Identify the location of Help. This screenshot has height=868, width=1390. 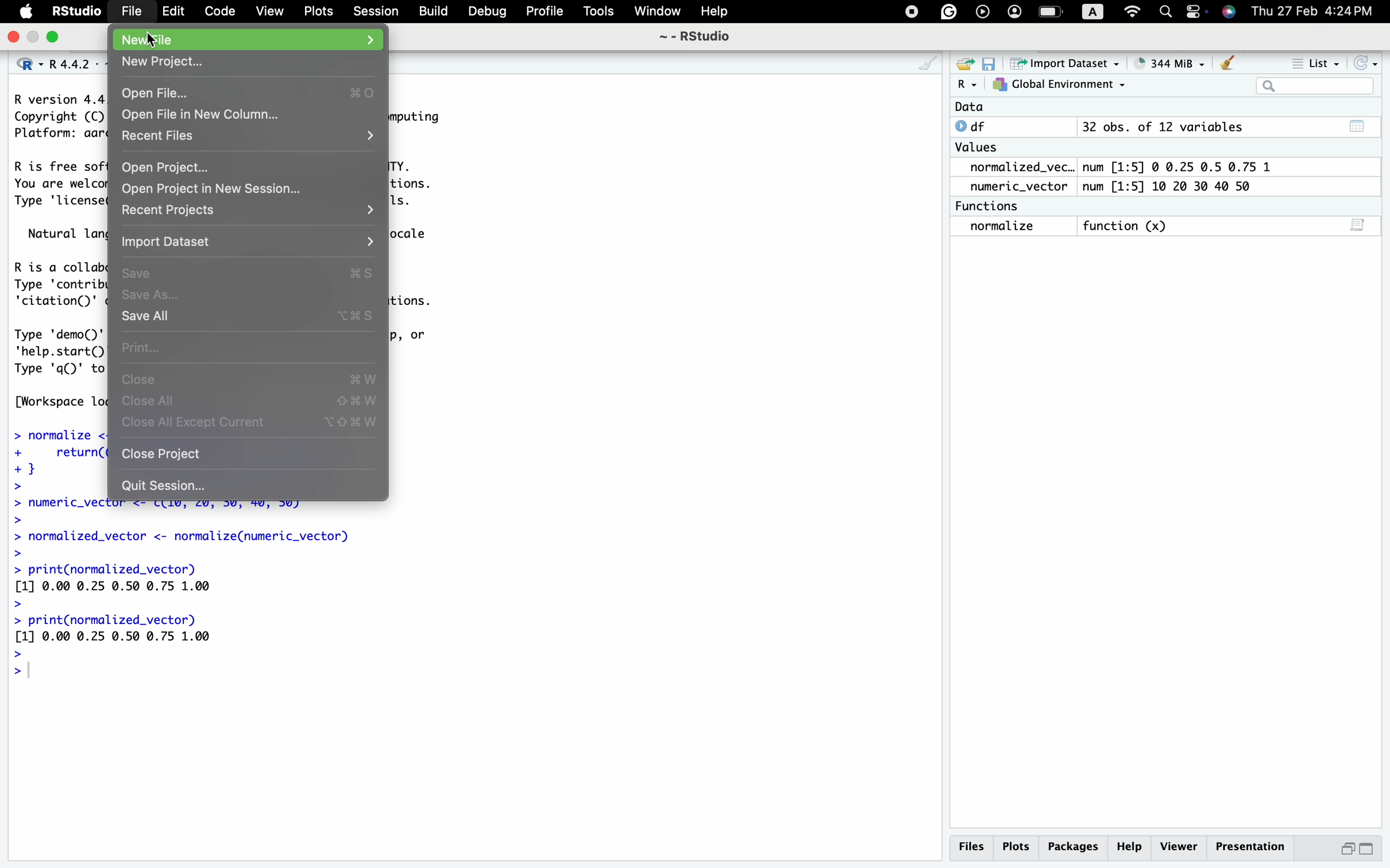
(1129, 847).